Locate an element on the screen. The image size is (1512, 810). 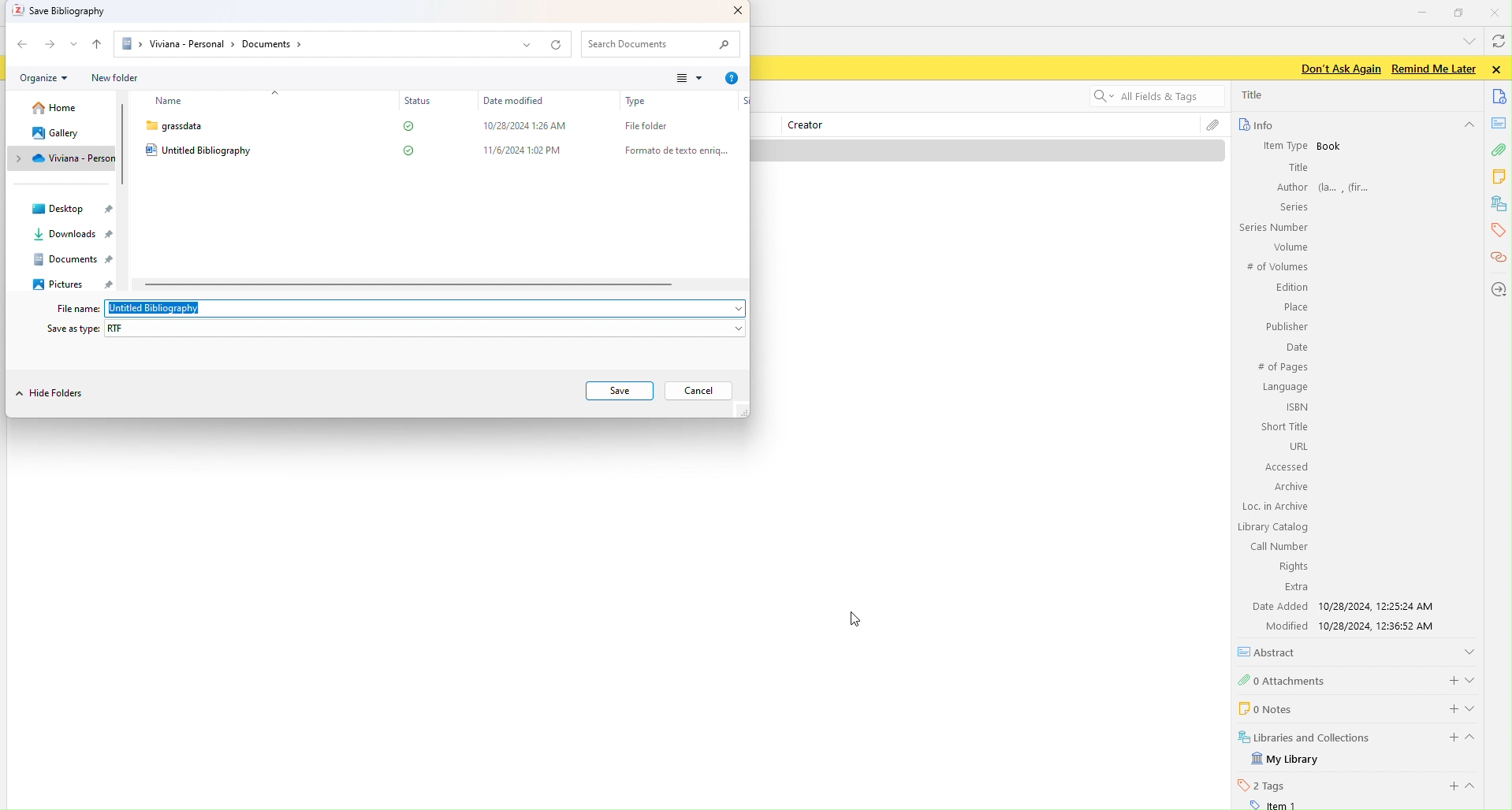
Search is located at coordinates (662, 45).